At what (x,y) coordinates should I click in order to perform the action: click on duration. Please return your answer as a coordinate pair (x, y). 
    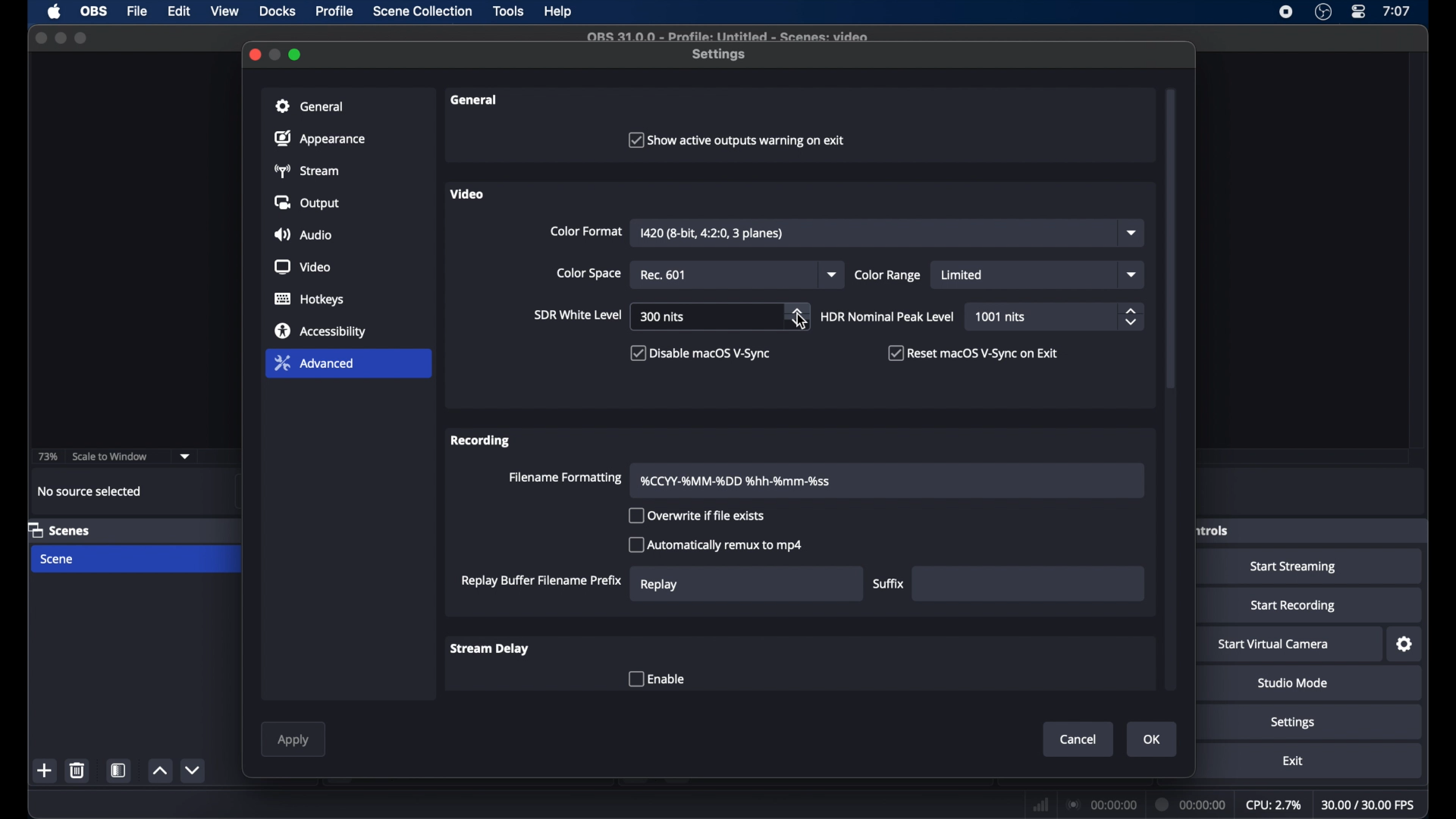
    Looking at the image, I should click on (1192, 803).